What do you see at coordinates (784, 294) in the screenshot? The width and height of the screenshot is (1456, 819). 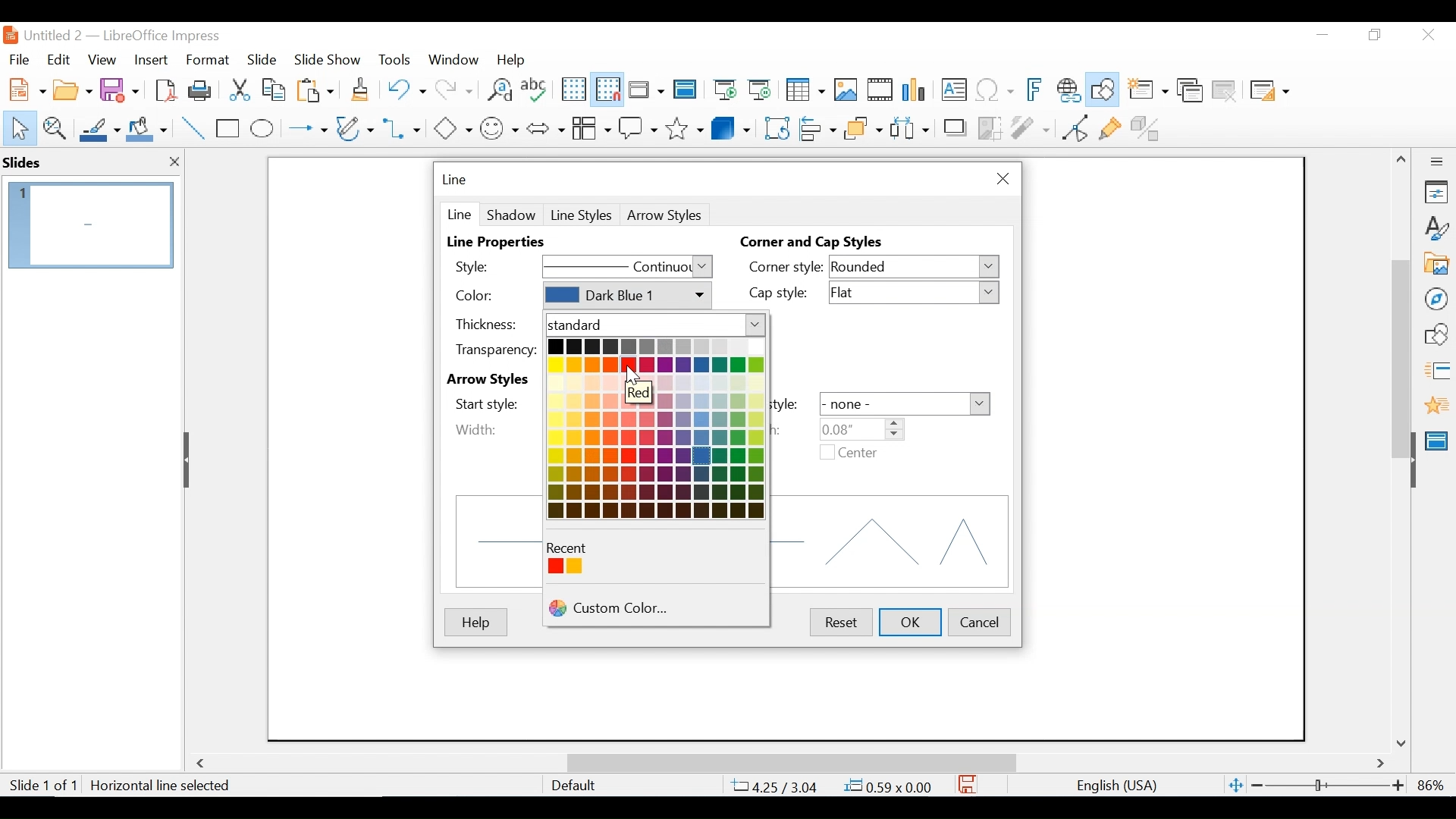 I see `Cap Style` at bounding box center [784, 294].